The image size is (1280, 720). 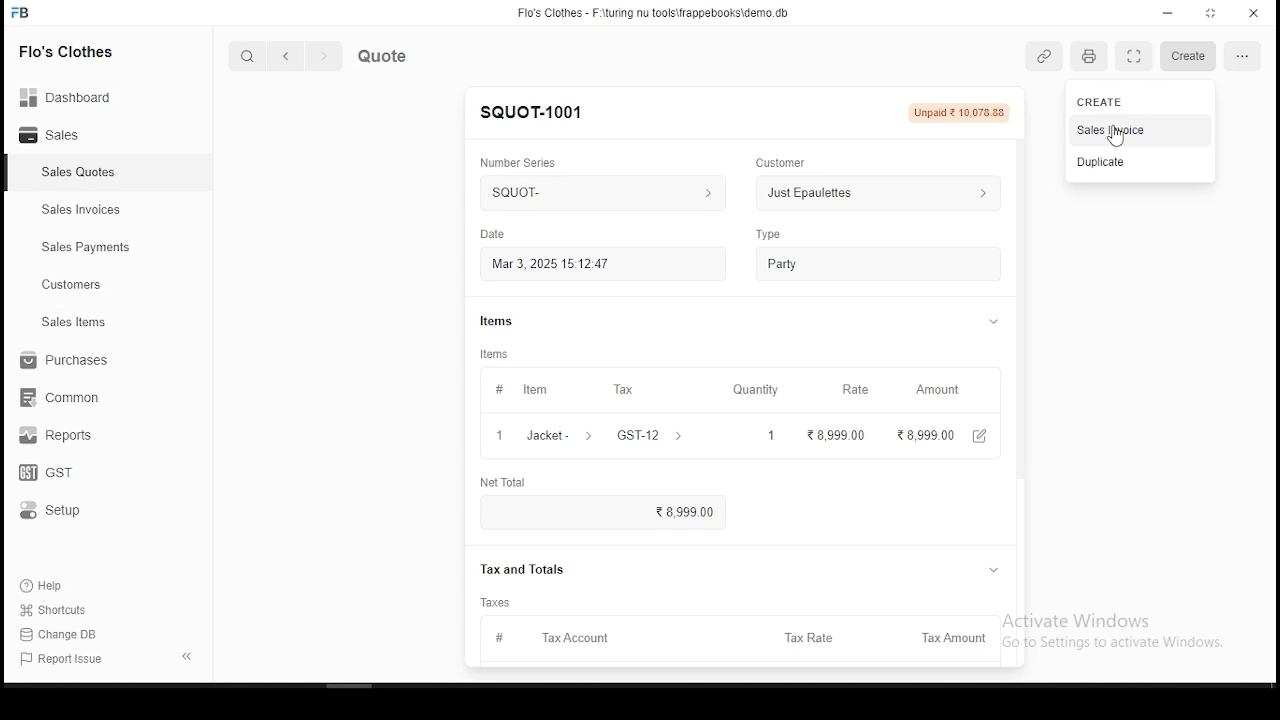 What do you see at coordinates (964, 112) in the screenshot?
I see `Unpaid 210,075.88` at bounding box center [964, 112].